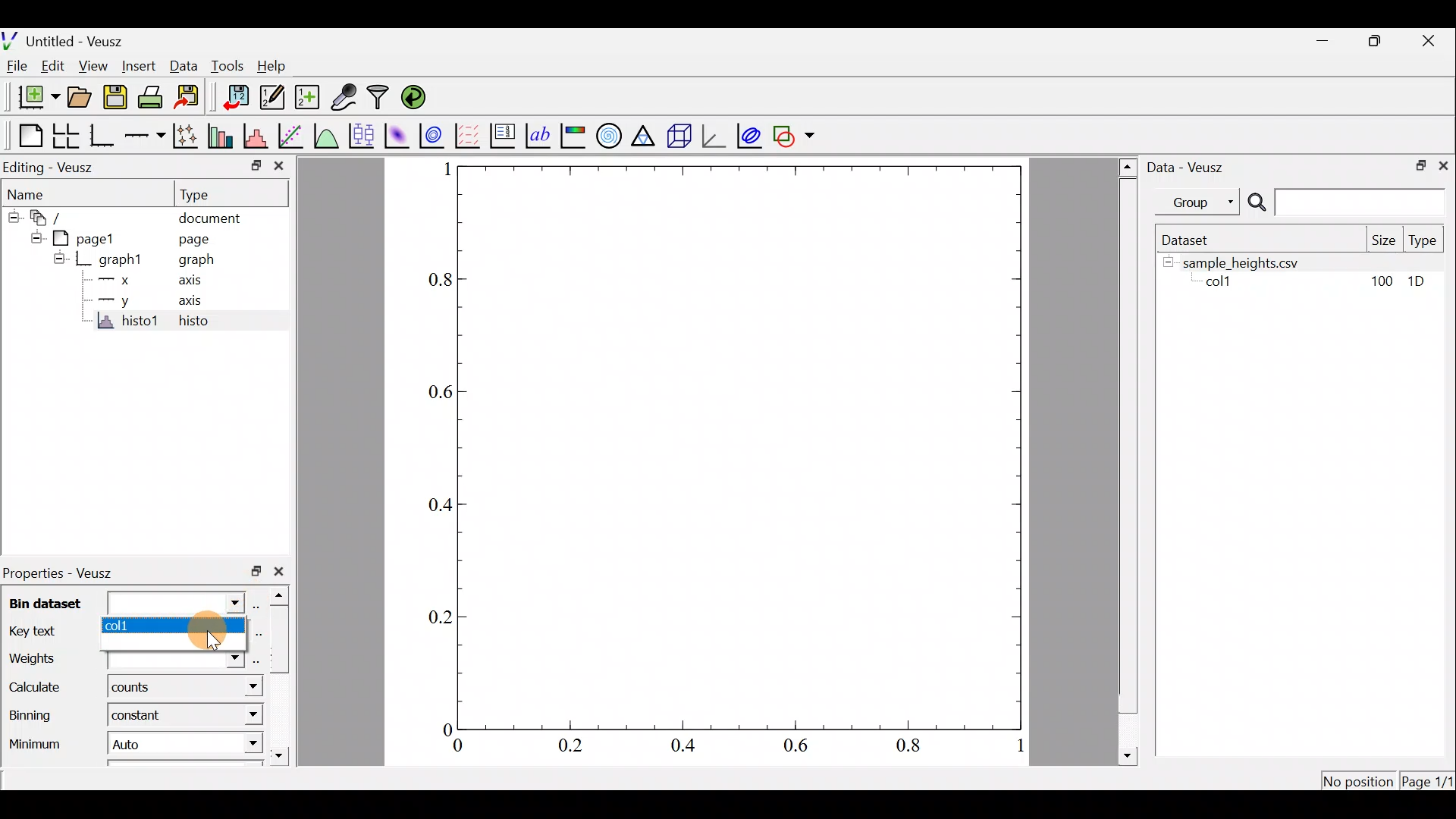 This screenshot has width=1456, height=819. I want to click on restore down, so click(256, 573).